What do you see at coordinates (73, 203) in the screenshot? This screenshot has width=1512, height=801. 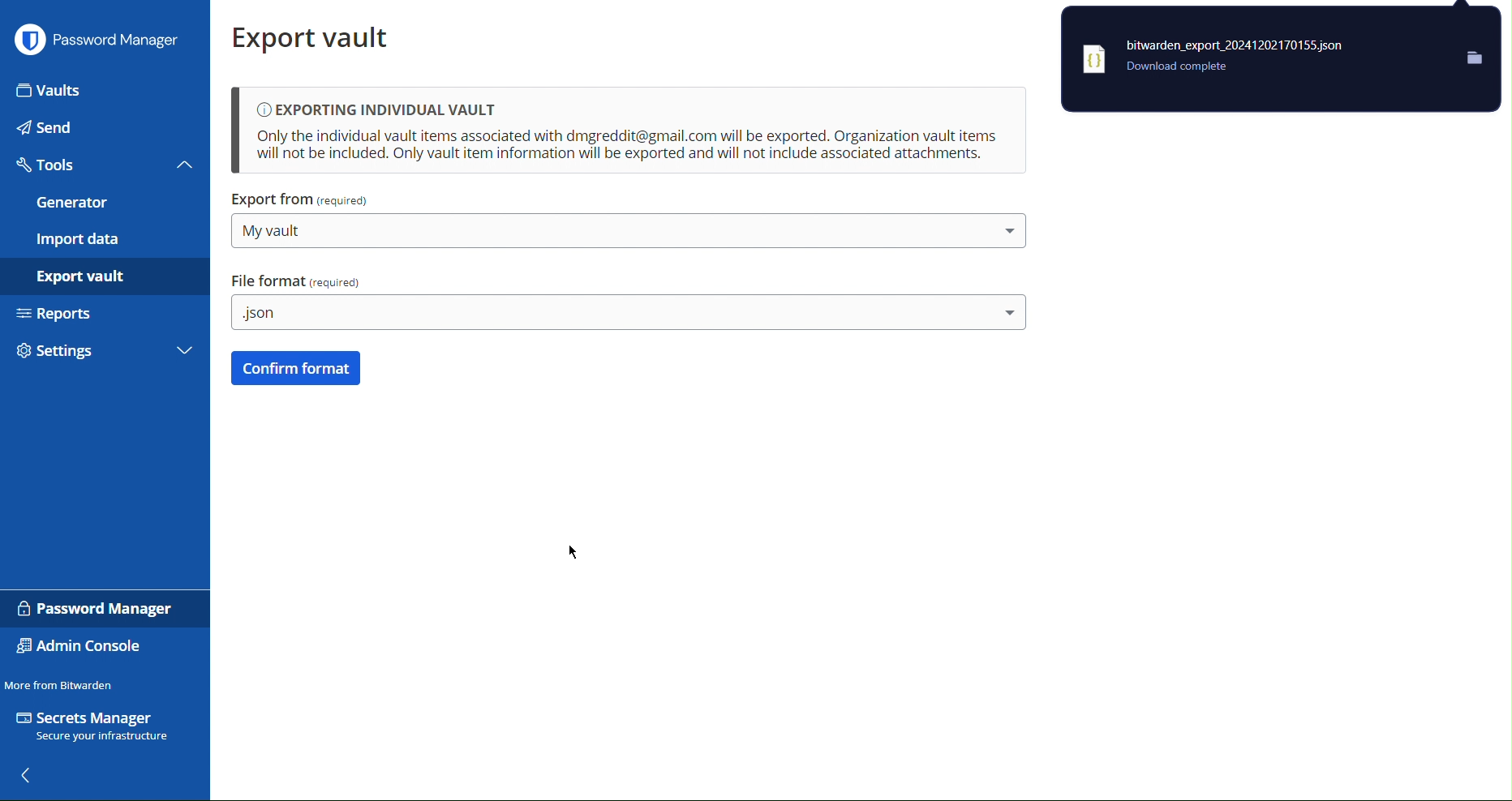 I see `Generator` at bounding box center [73, 203].